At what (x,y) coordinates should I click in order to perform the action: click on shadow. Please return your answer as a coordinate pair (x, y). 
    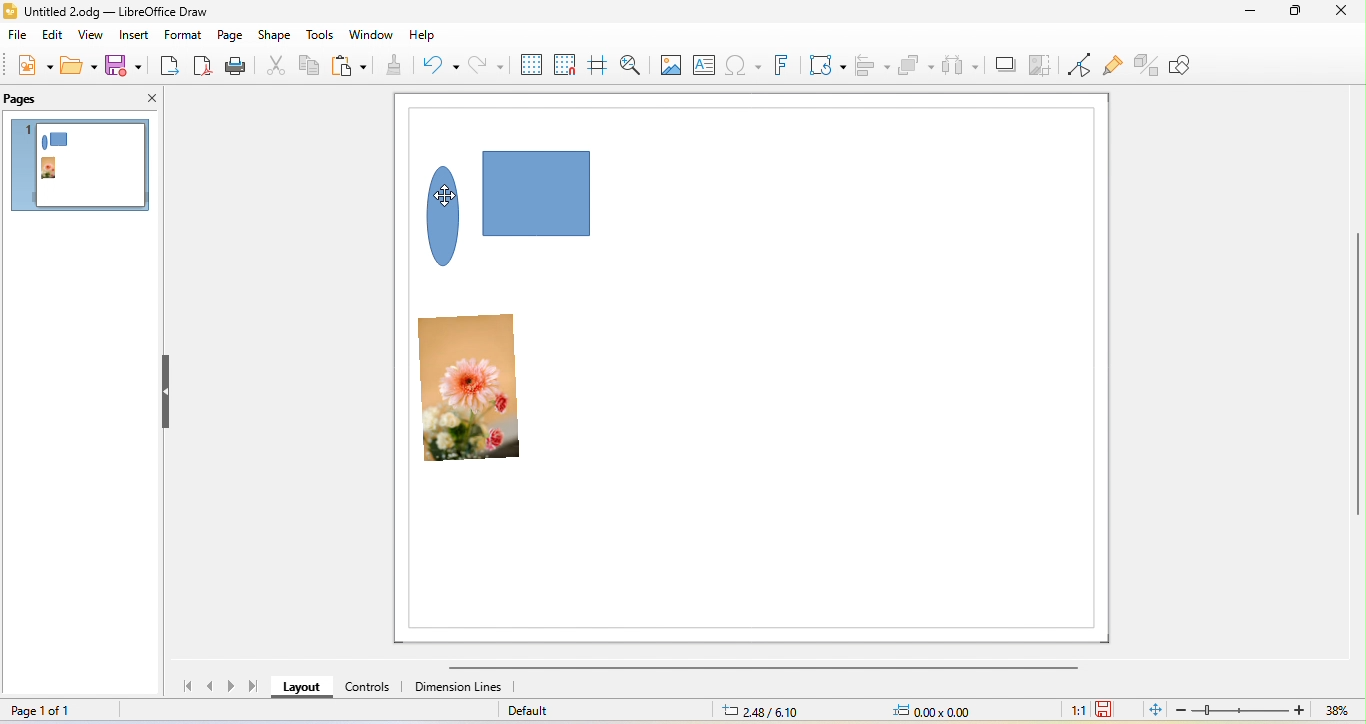
    Looking at the image, I should click on (1004, 58).